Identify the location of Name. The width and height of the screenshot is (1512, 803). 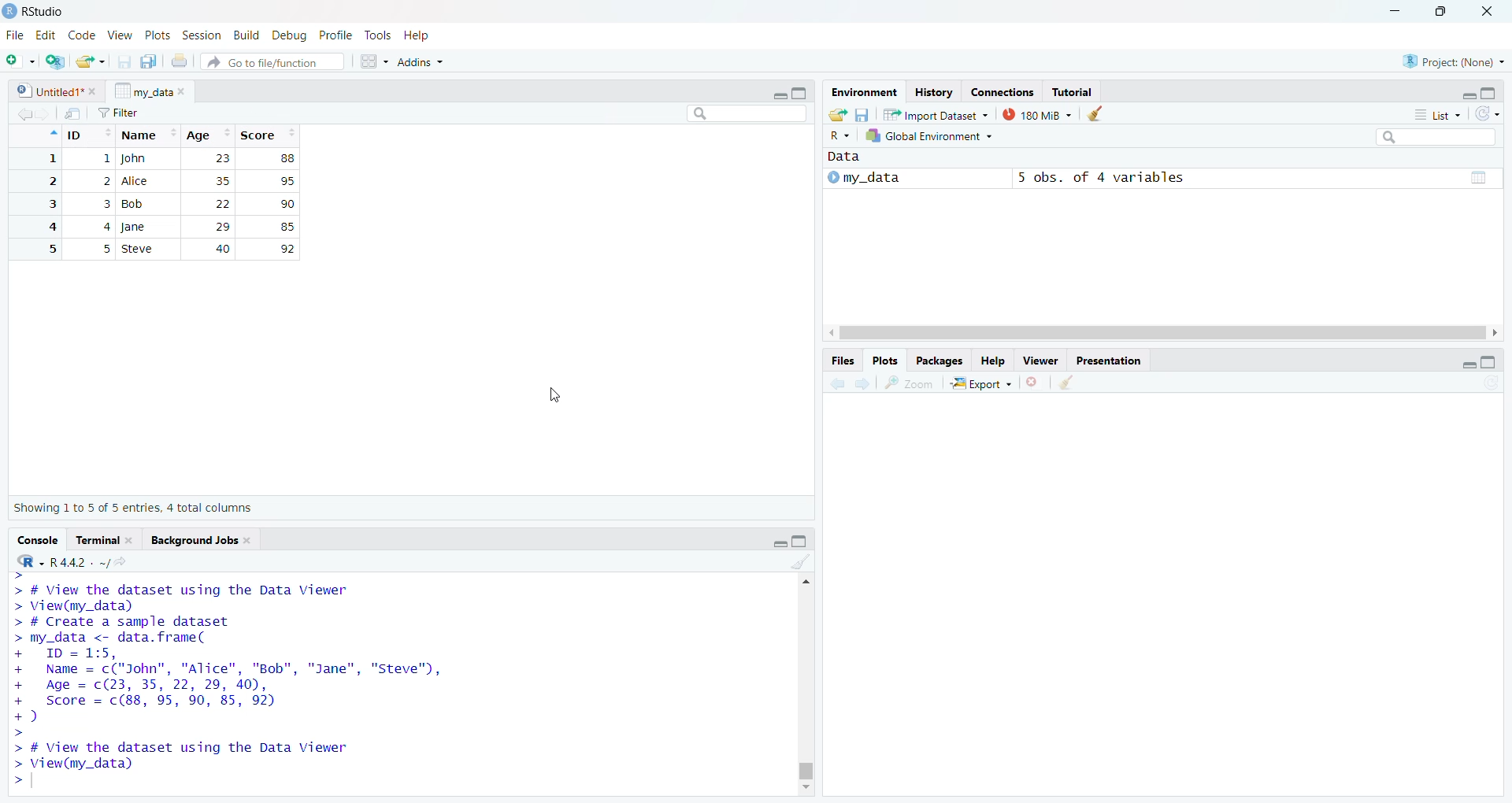
(151, 134).